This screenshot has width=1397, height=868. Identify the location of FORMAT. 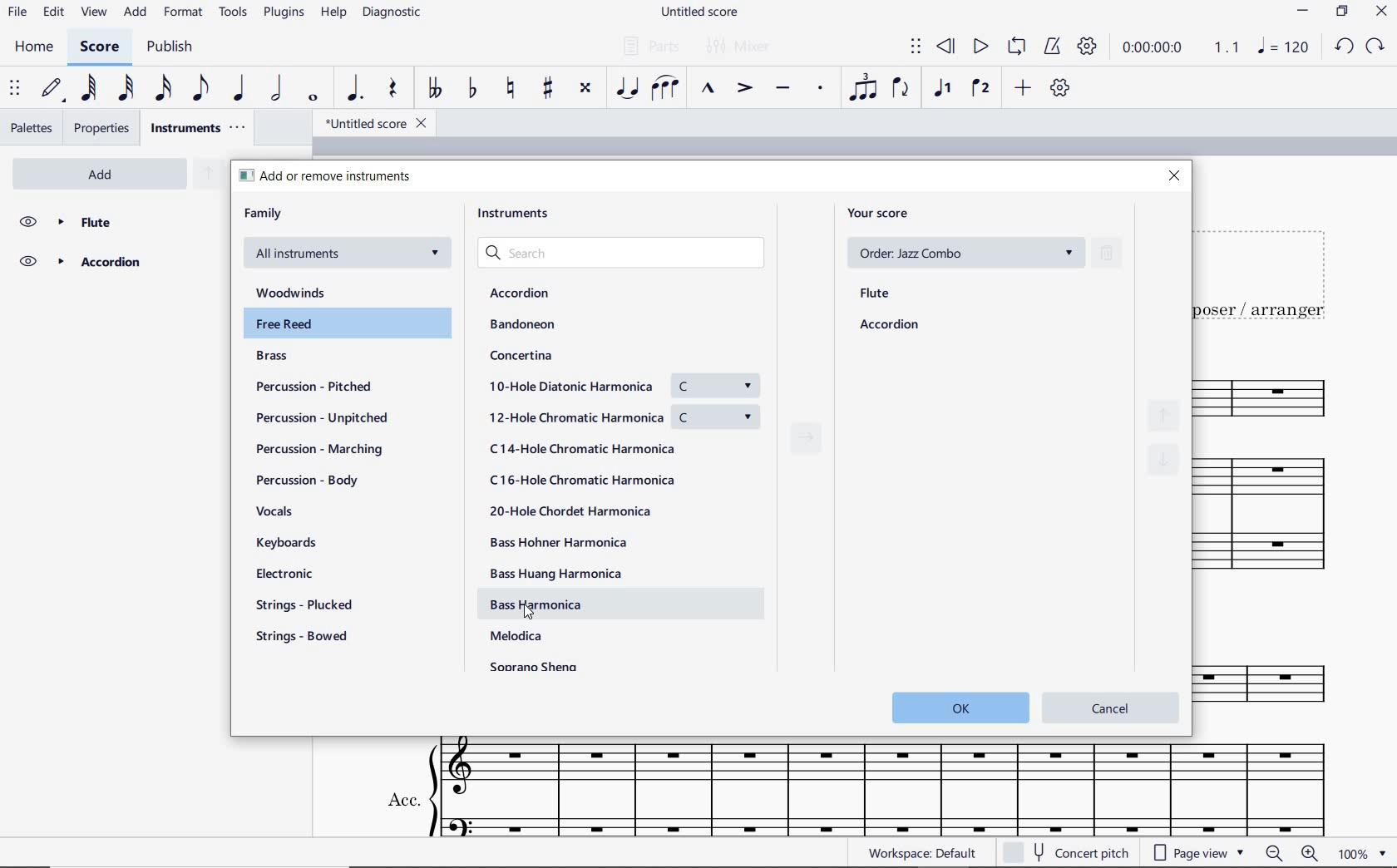
(183, 13).